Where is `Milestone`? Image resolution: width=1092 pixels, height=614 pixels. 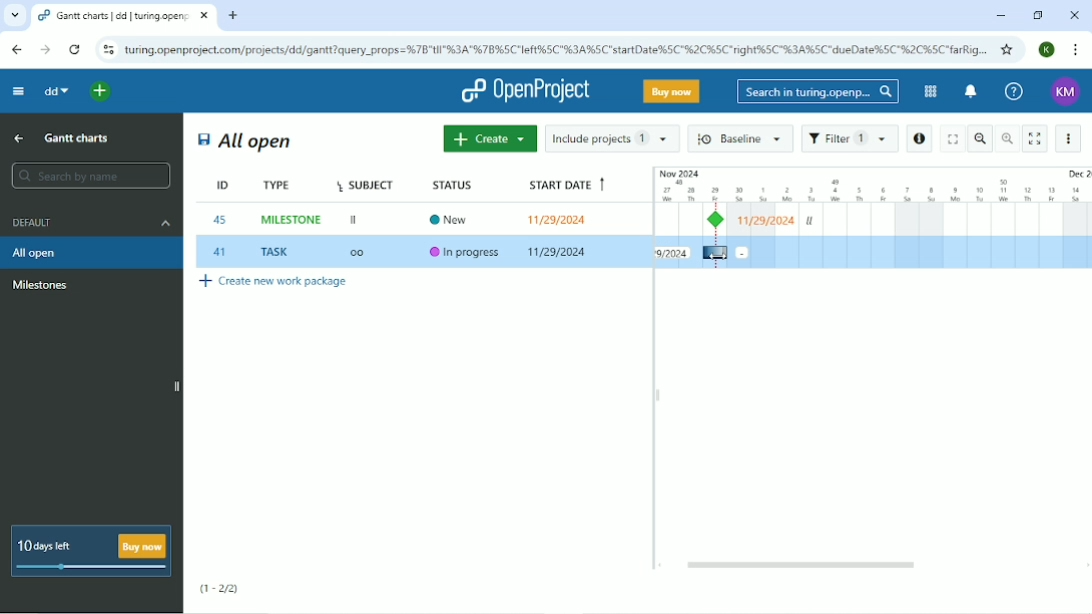 Milestone is located at coordinates (719, 220).